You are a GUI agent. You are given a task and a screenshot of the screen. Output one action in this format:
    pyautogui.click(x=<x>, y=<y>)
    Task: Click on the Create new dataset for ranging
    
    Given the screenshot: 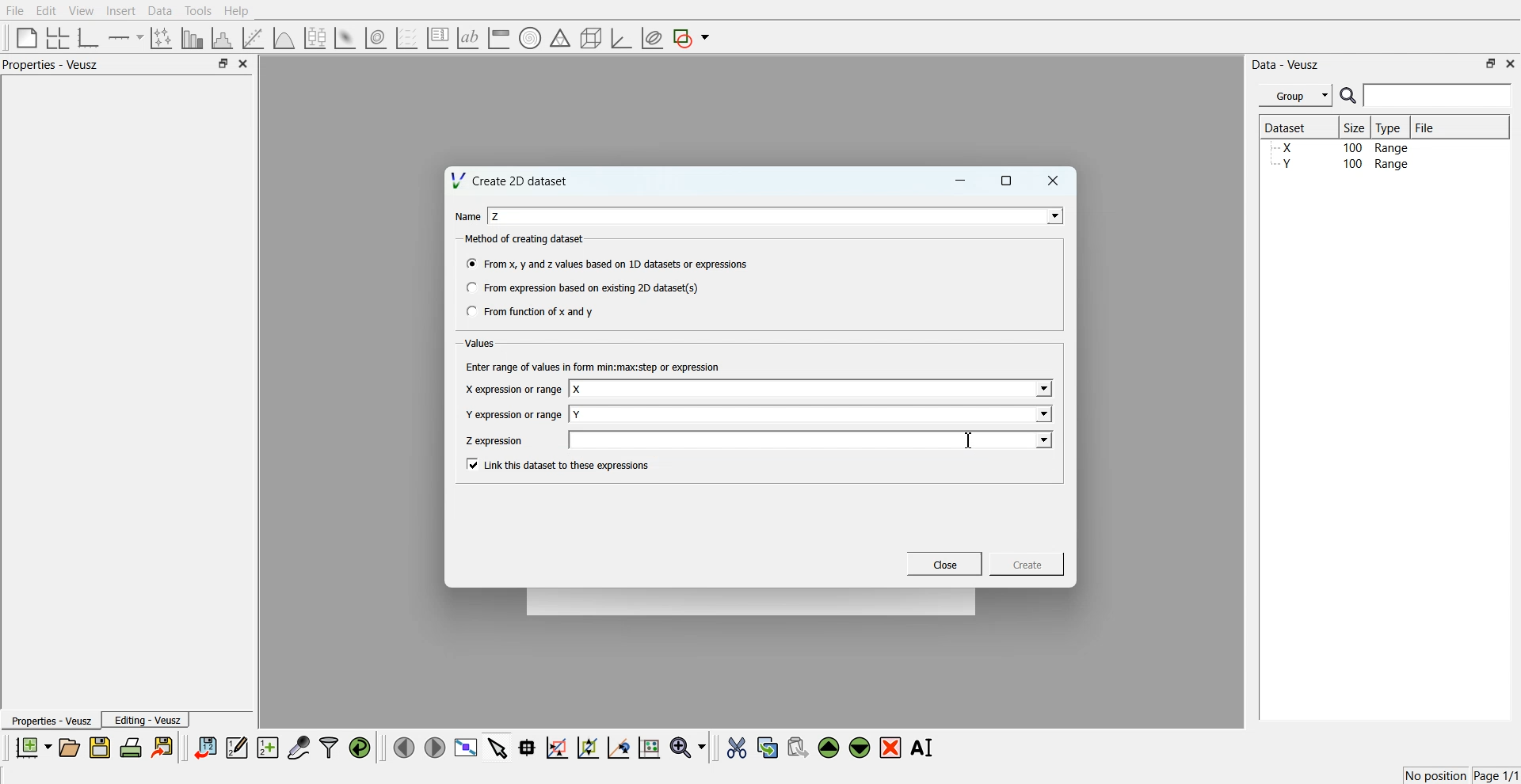 What is the action you would take?
    pyautogui.click(x=267, y=748)
    